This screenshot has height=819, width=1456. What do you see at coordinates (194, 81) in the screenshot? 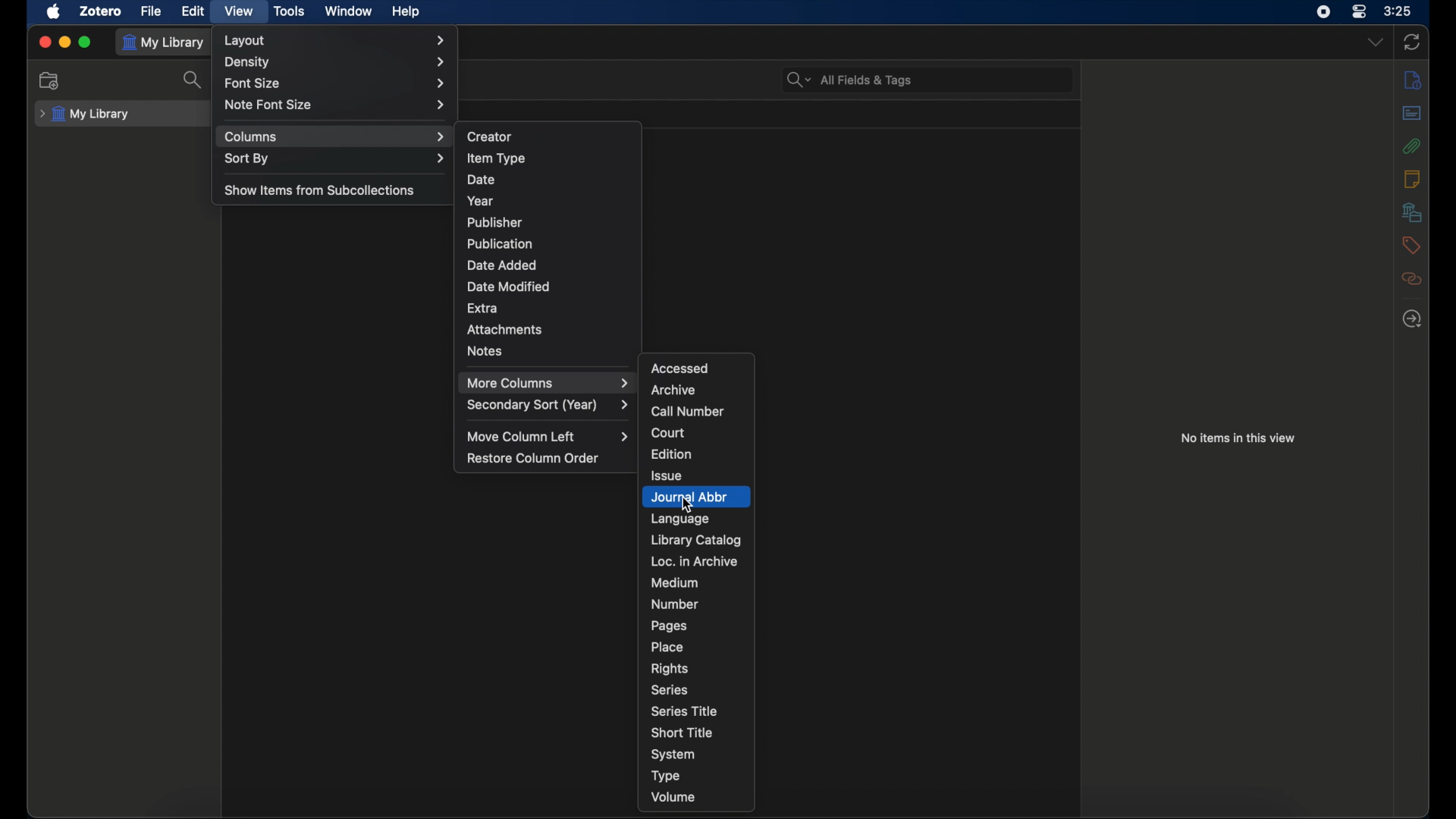
I see `search` at bounding box center [194, 81].